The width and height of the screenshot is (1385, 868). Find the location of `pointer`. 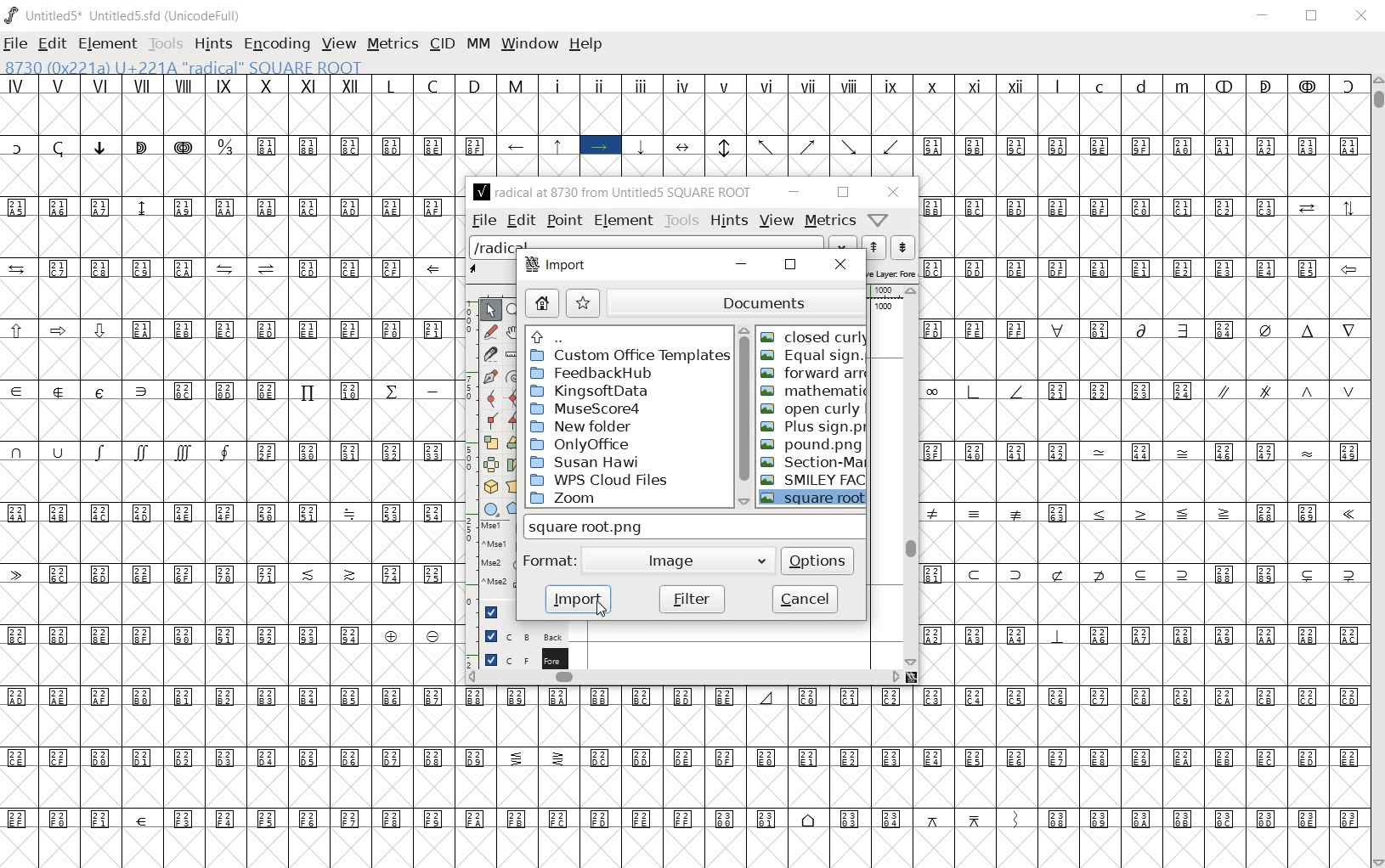

pointer is located at coordinates (492, 308).